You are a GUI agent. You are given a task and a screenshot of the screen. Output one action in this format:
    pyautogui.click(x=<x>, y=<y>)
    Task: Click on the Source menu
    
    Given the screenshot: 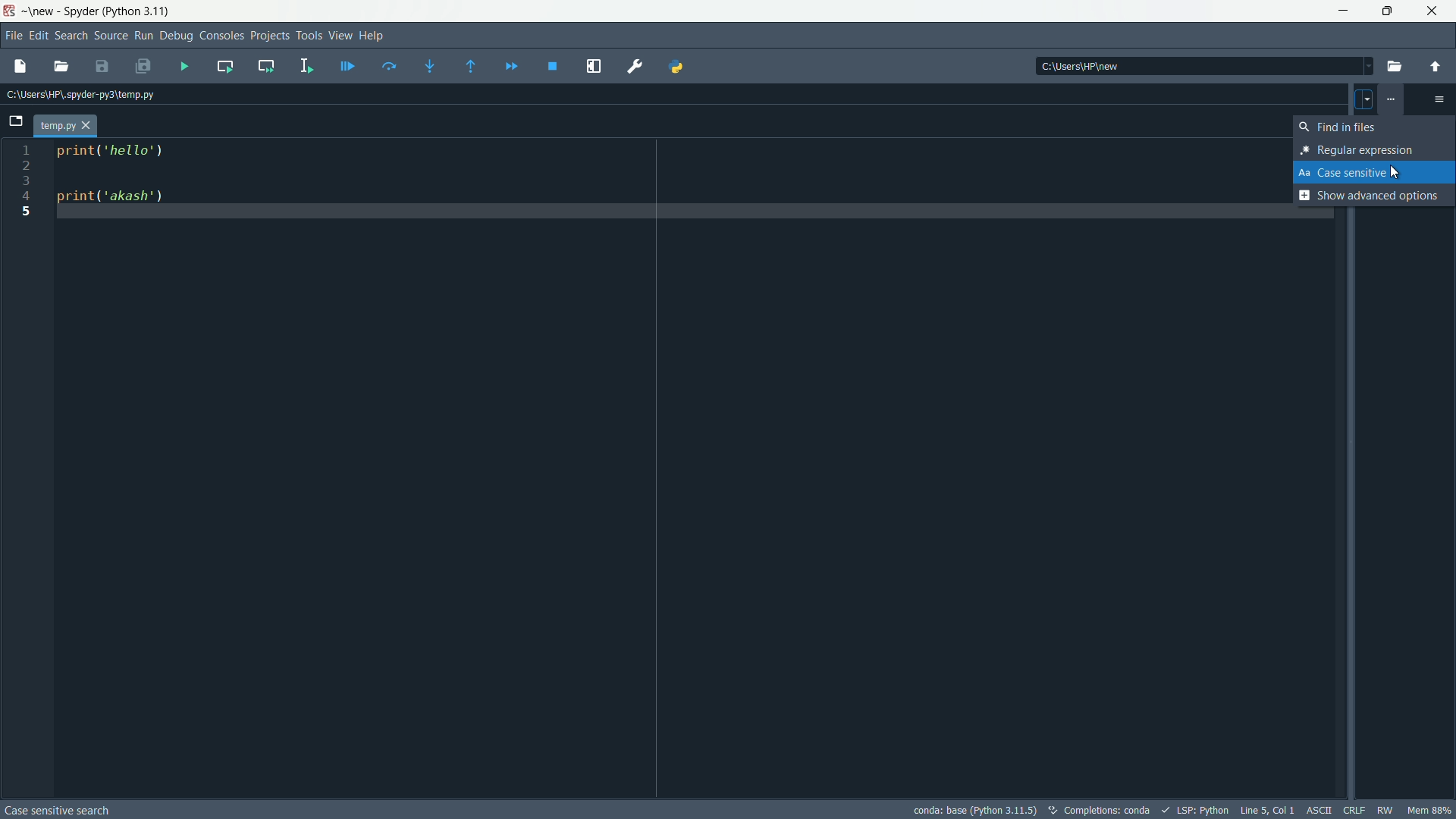 What is the action you would take?
    pyautogui.click(x=109, y=36)
    